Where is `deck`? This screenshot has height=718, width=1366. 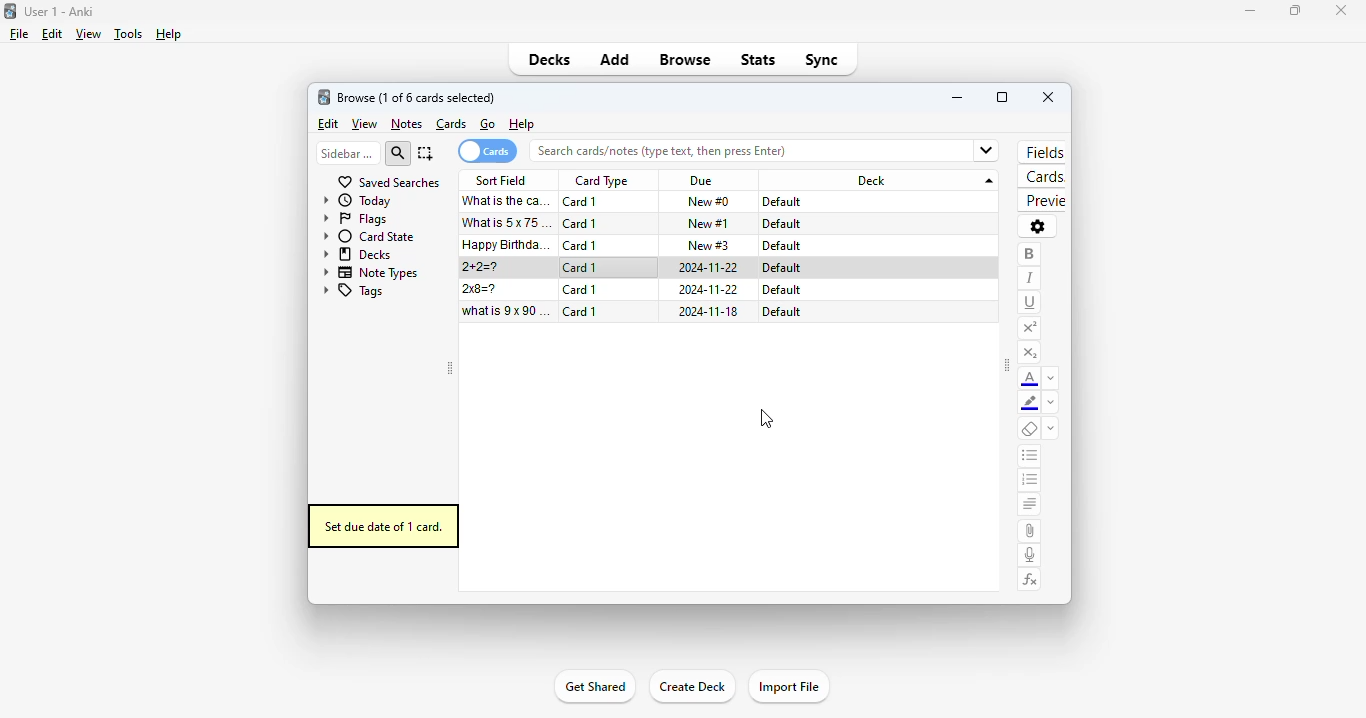
deck is located at coordinates (882, 180).